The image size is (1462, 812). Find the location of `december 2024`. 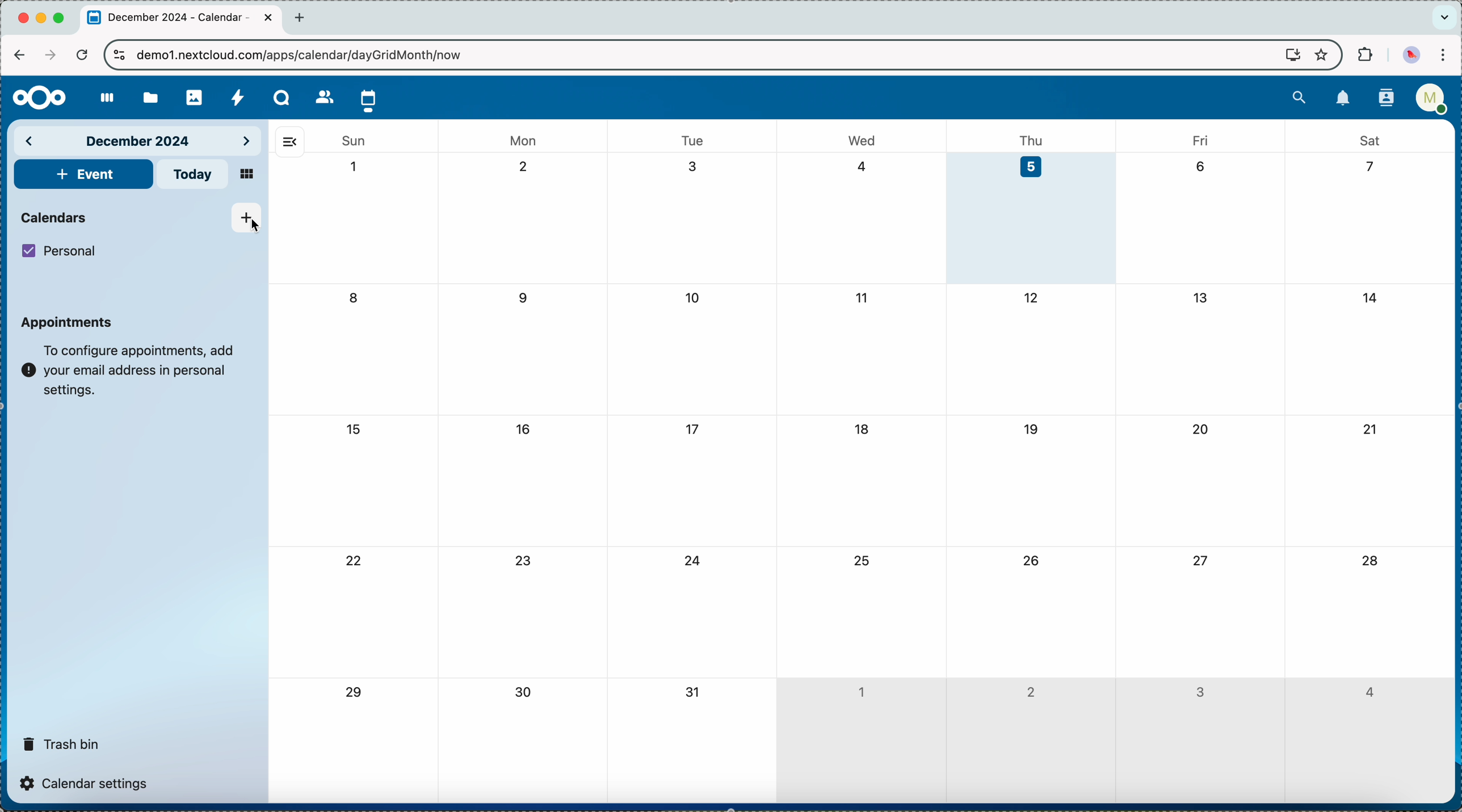

december 2024 is located at coordinates (140, 140).